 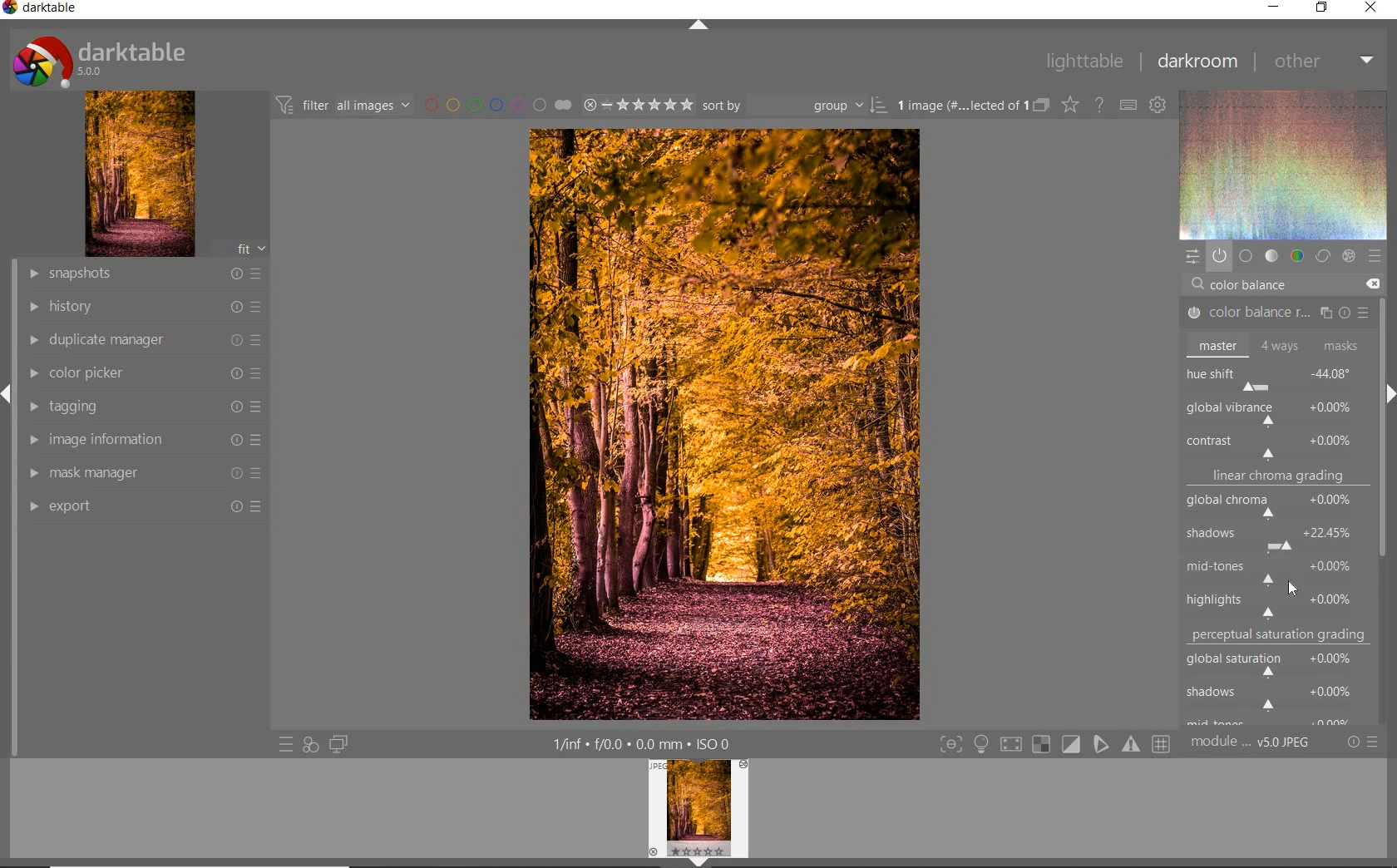 I want to click on collapse grouped image, so click(x=1041, y=106).